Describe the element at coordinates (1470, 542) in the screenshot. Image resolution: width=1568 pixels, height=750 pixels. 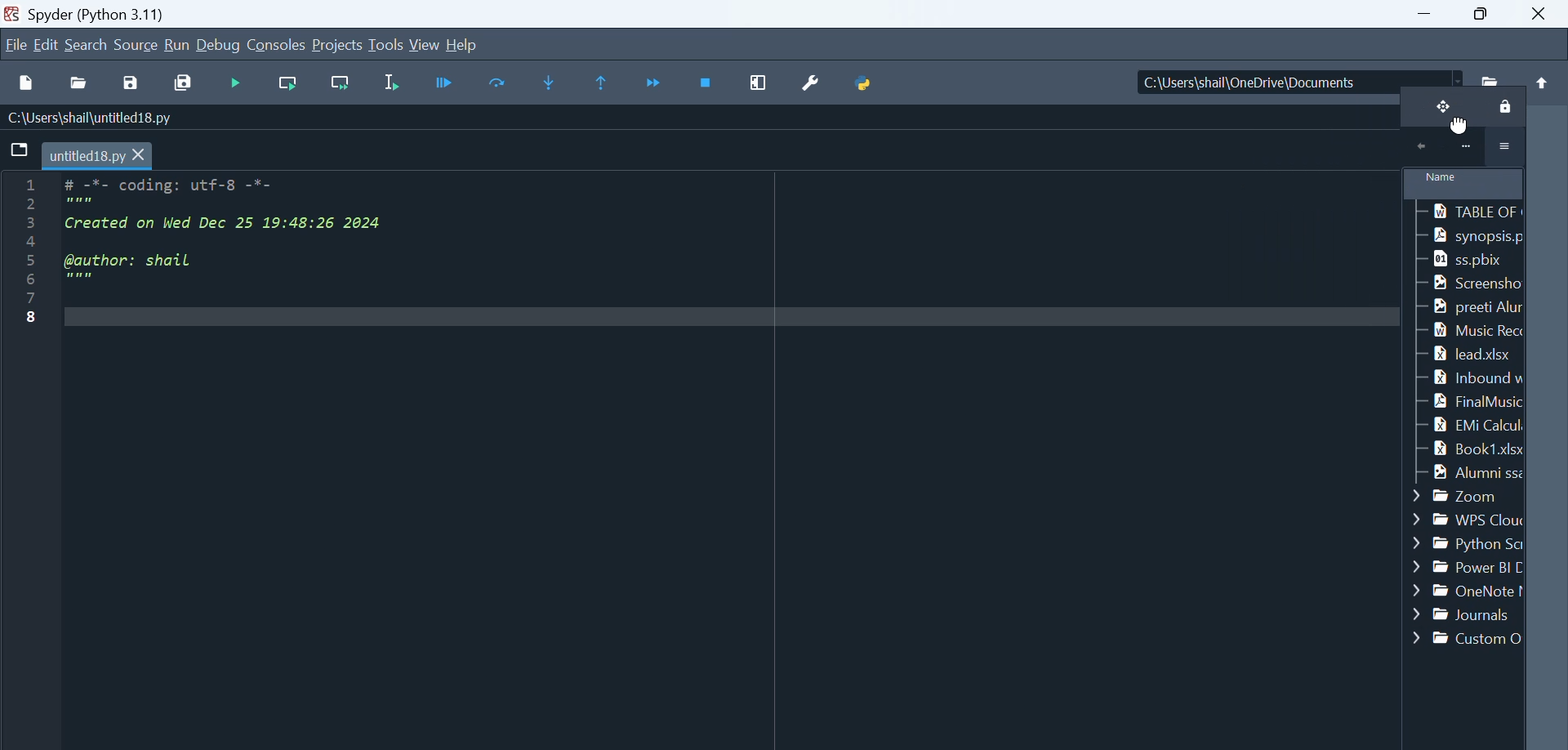
I see `Python Sci..` at that location.